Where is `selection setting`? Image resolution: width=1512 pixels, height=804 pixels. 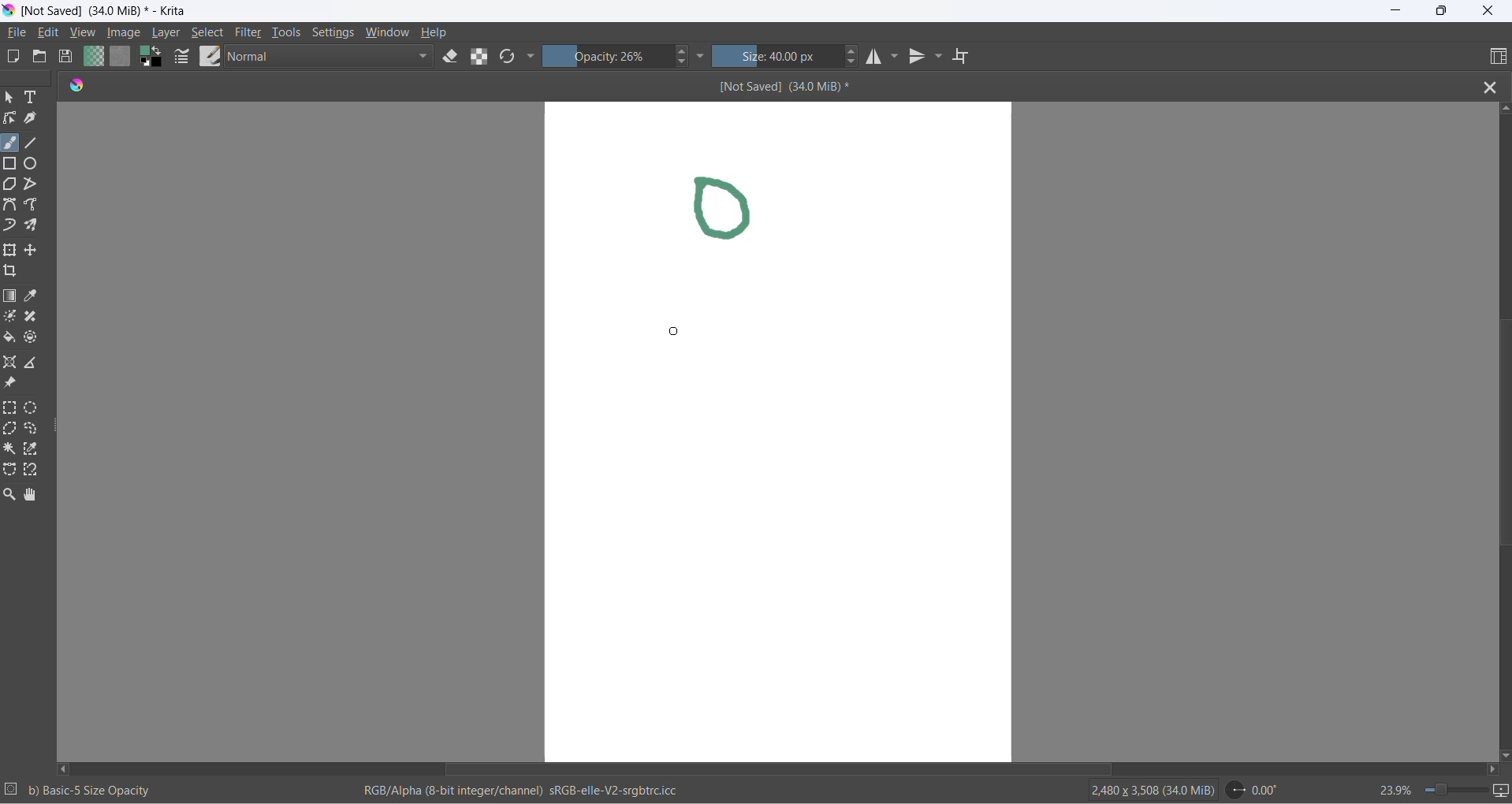
selection setting is located at coordinates (12, 790).